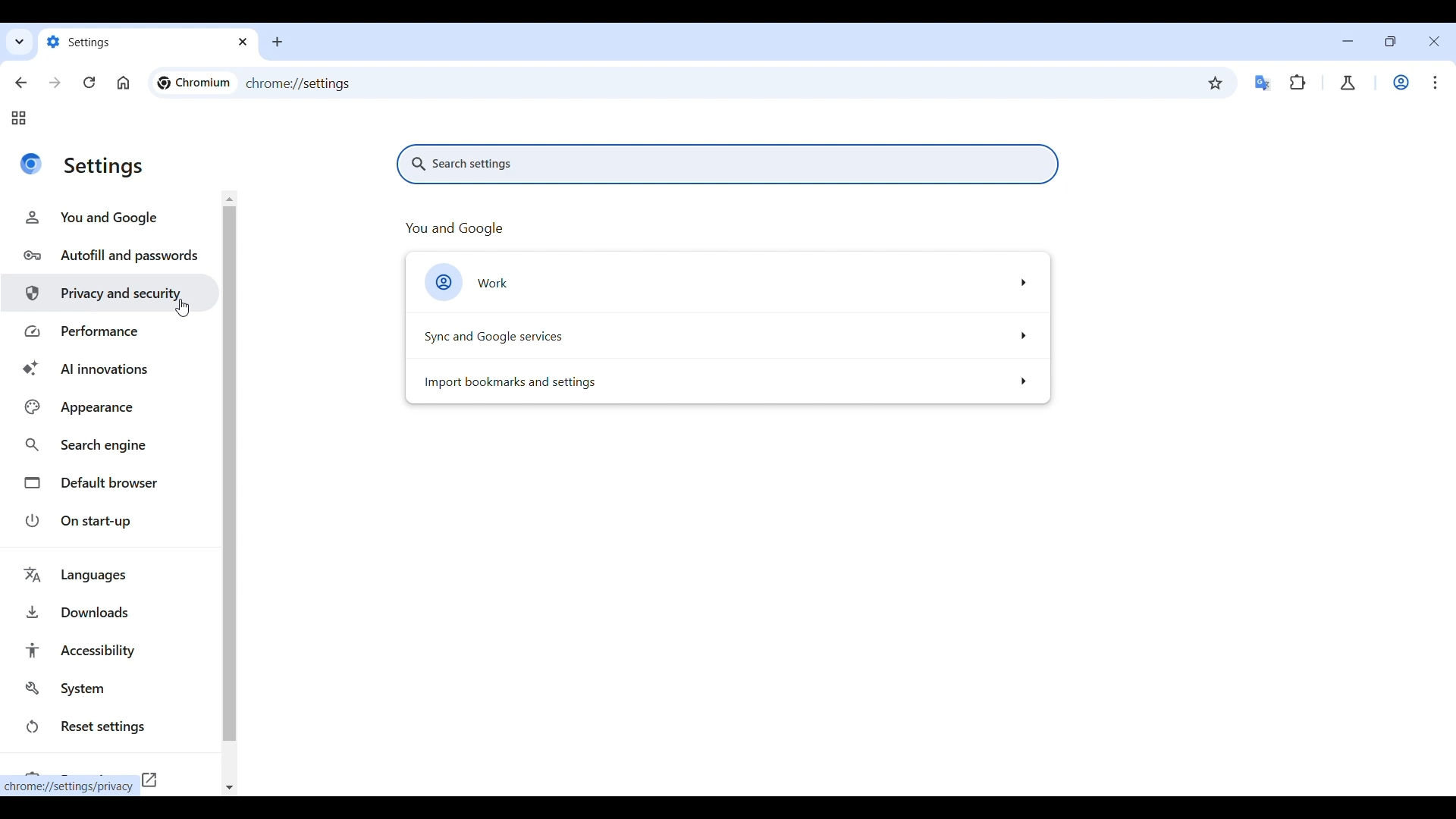 This screenshot has width=1456, height=819. What do you see at coordinates (114, 575) in the screenshot?
I see `Languages` at bounding box center [114, 575].